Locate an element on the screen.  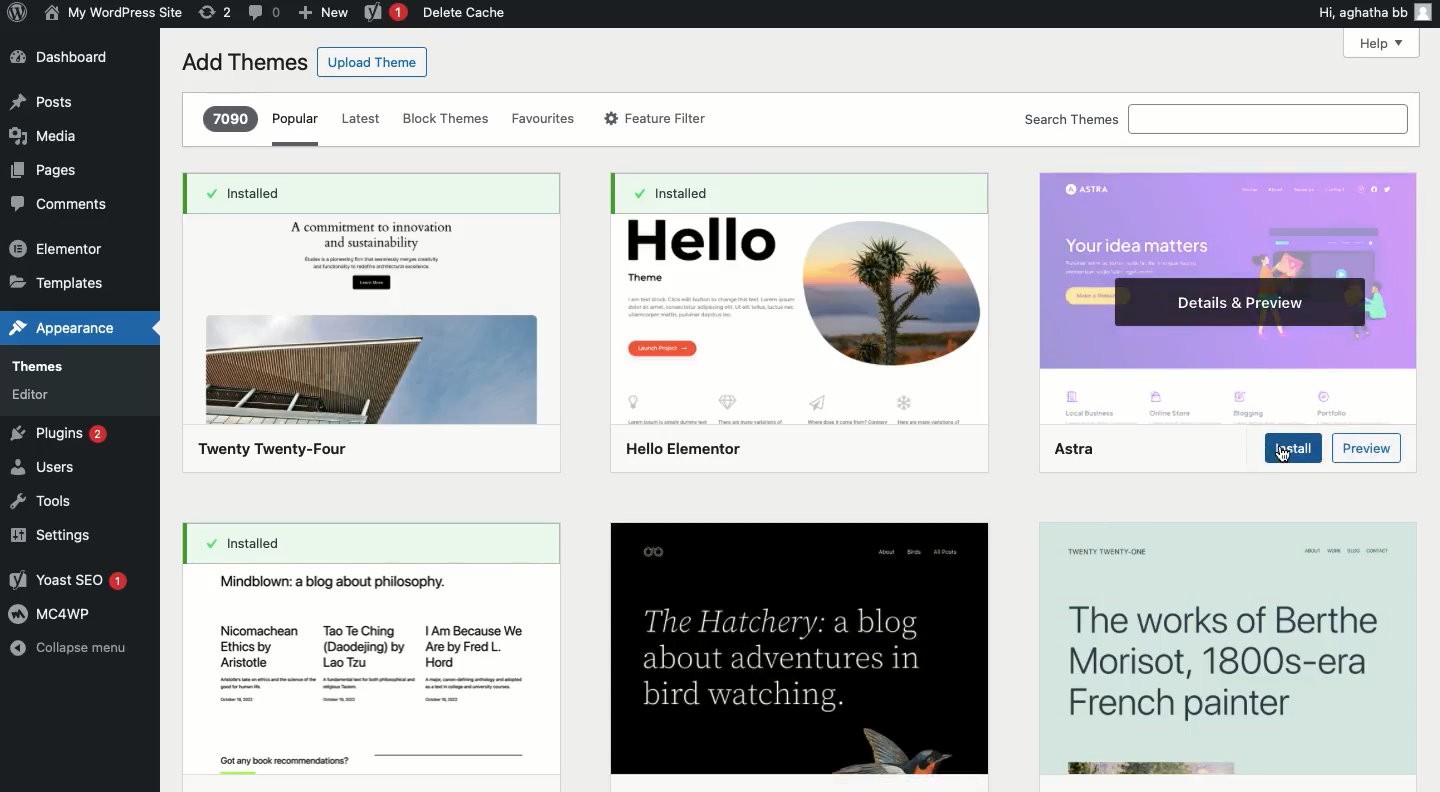
Comment is located at coordinates (265, 12).